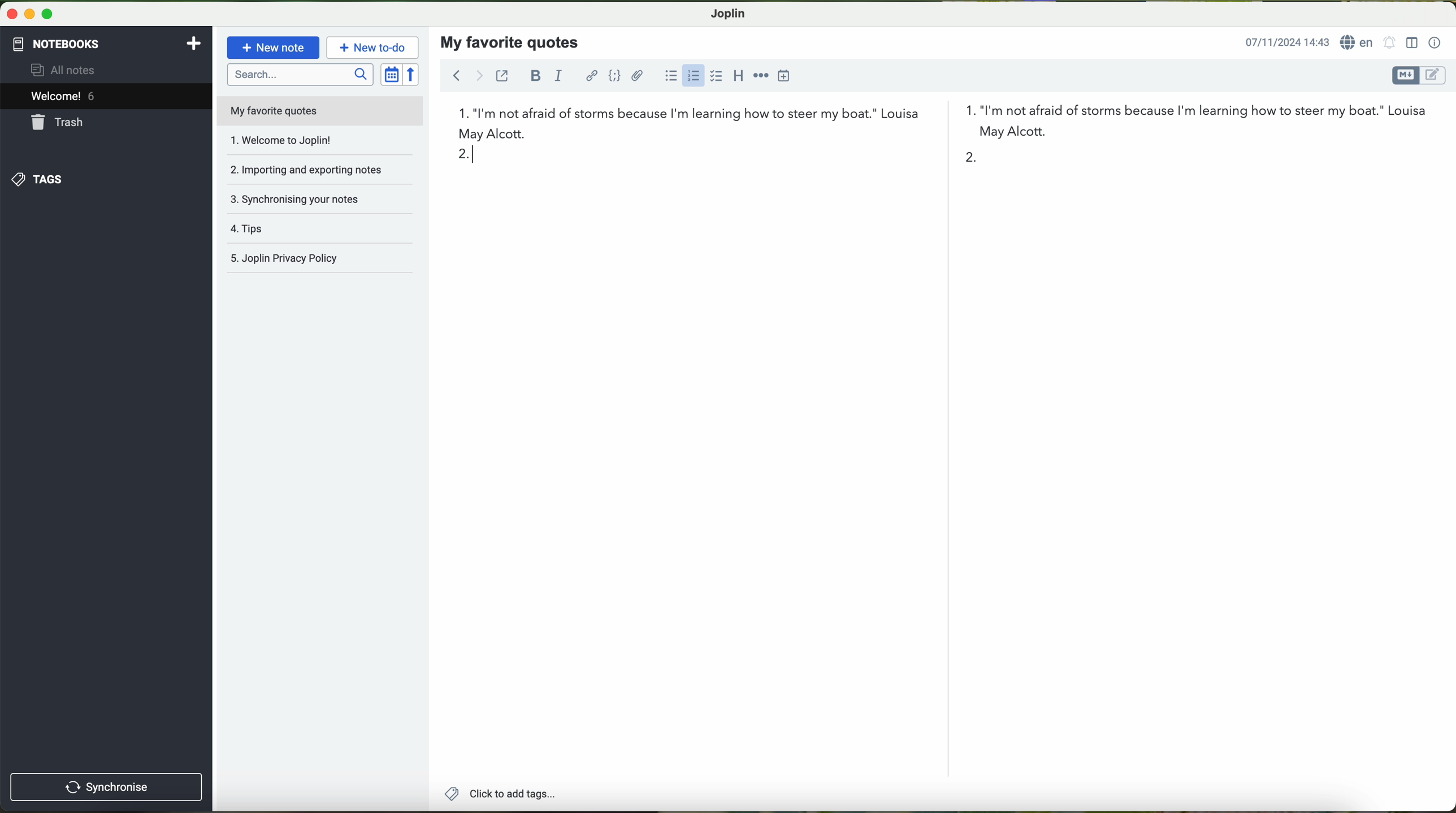 This screenshot has height=813, width=1456. I want to click on my favorite quotes, so click(510, 41).